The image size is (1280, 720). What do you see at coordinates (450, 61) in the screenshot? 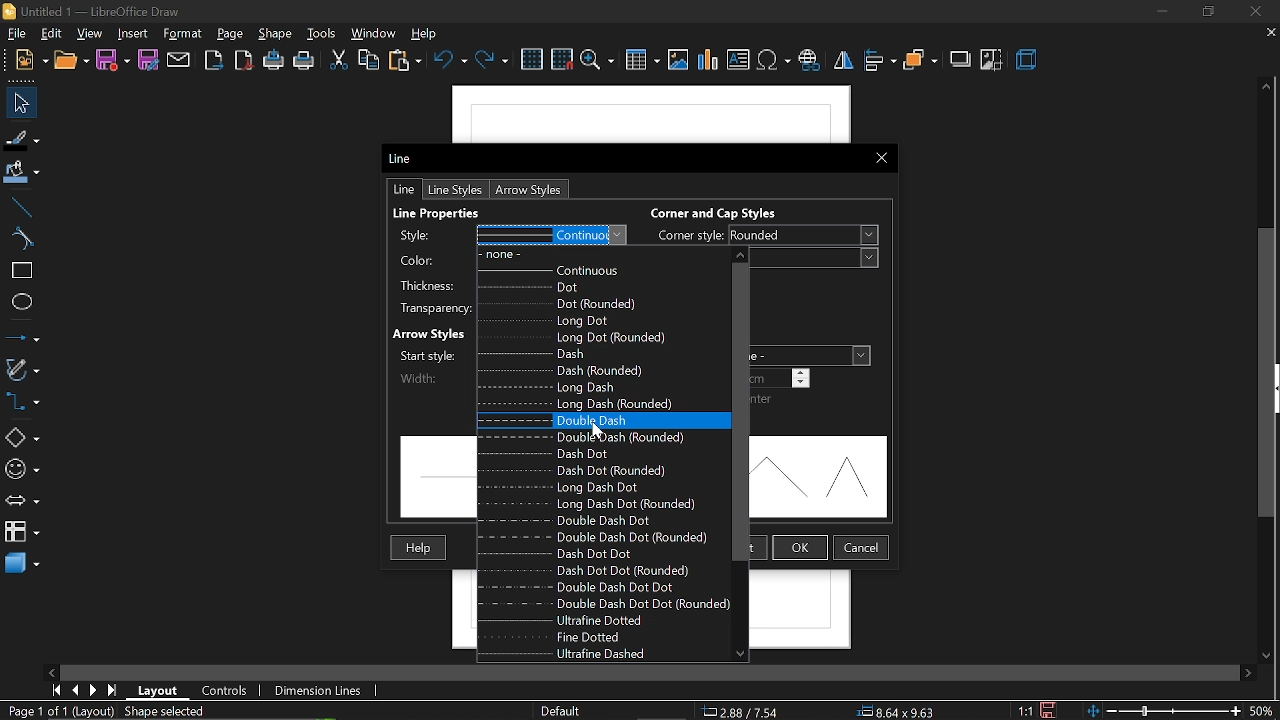
I see `undo` at bounding box center [450, 61].